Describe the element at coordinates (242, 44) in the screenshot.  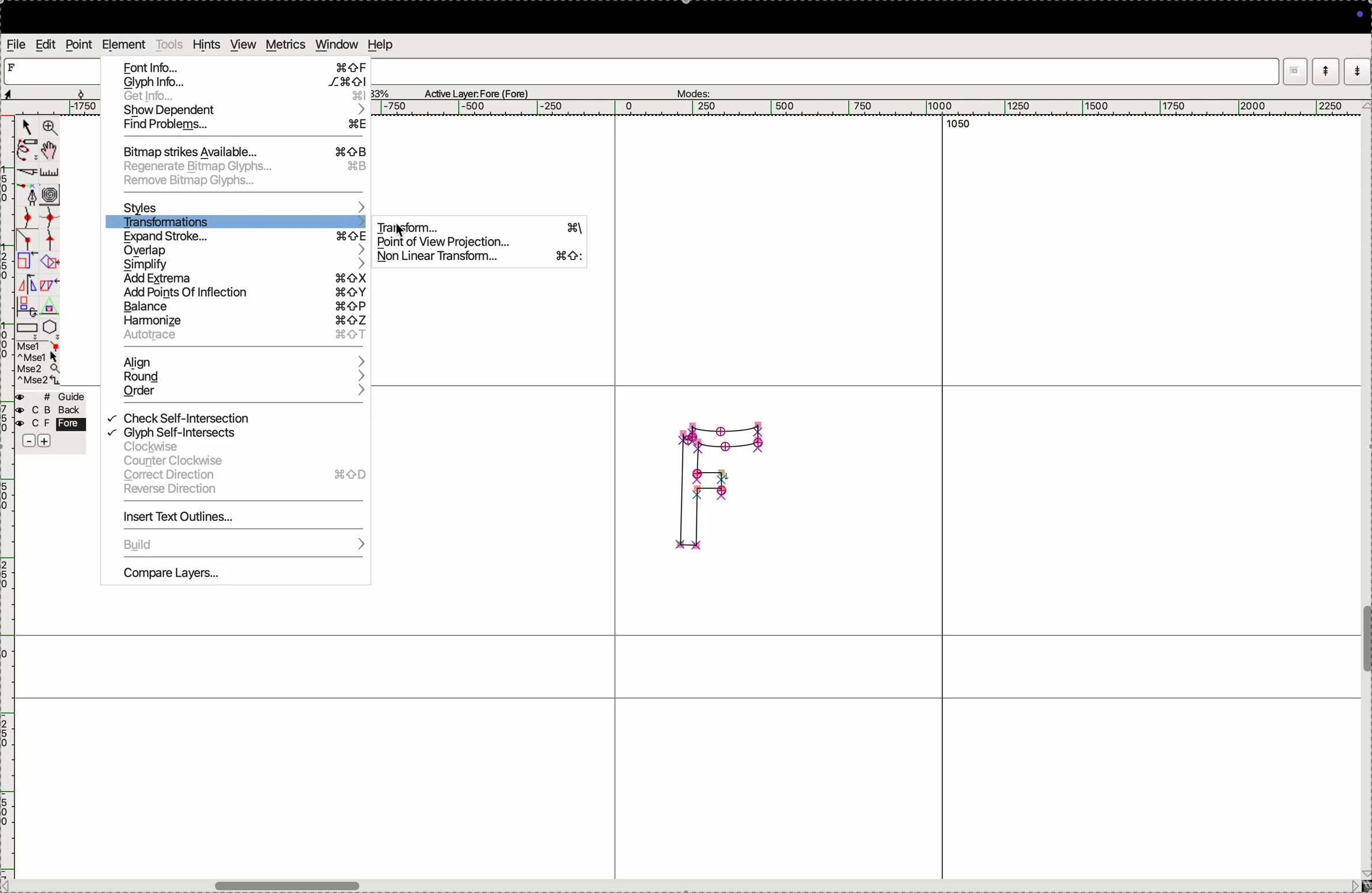
I see `view` at that location.